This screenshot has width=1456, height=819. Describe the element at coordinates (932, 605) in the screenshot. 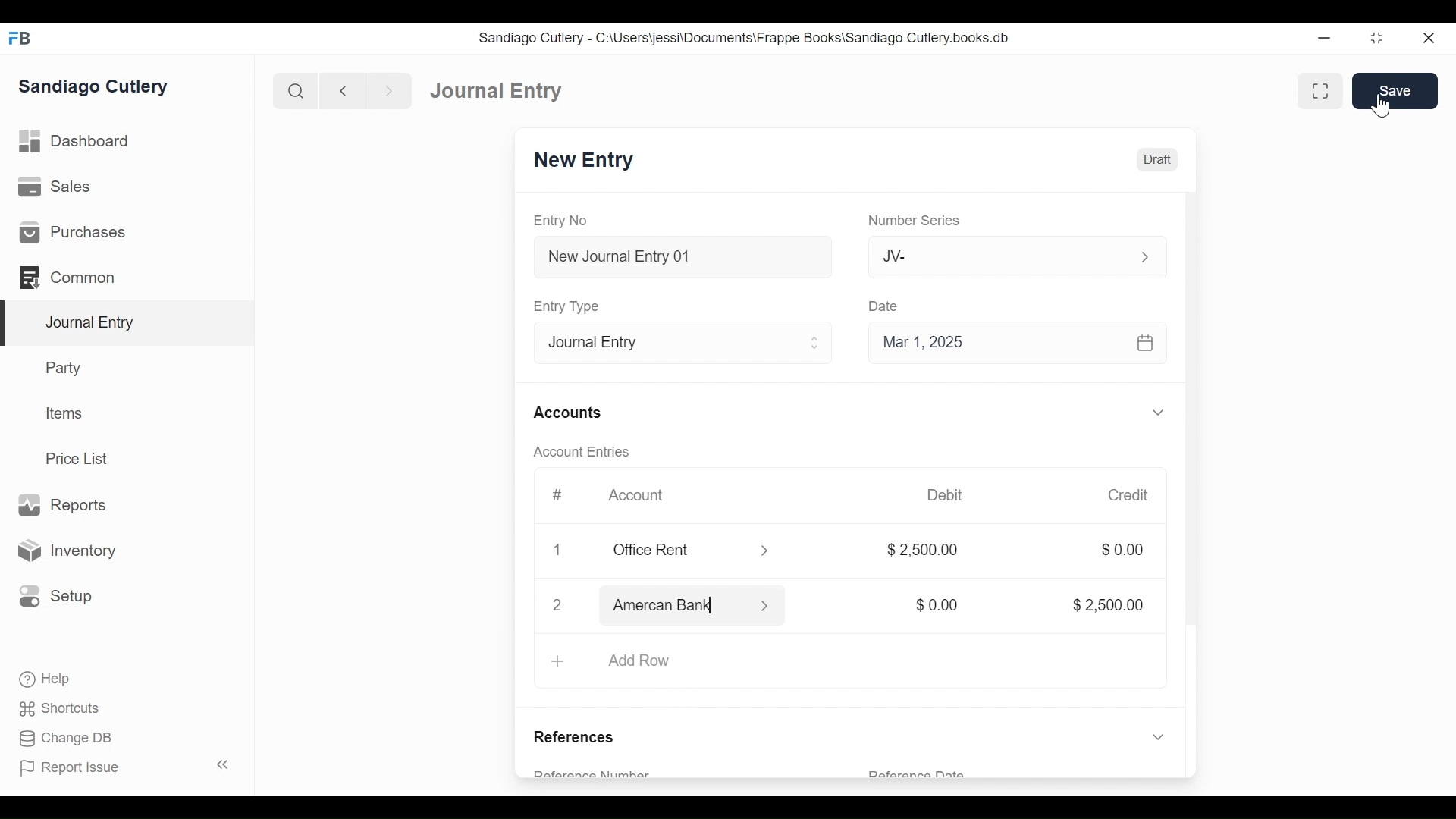

I see `$0.00` at that location.